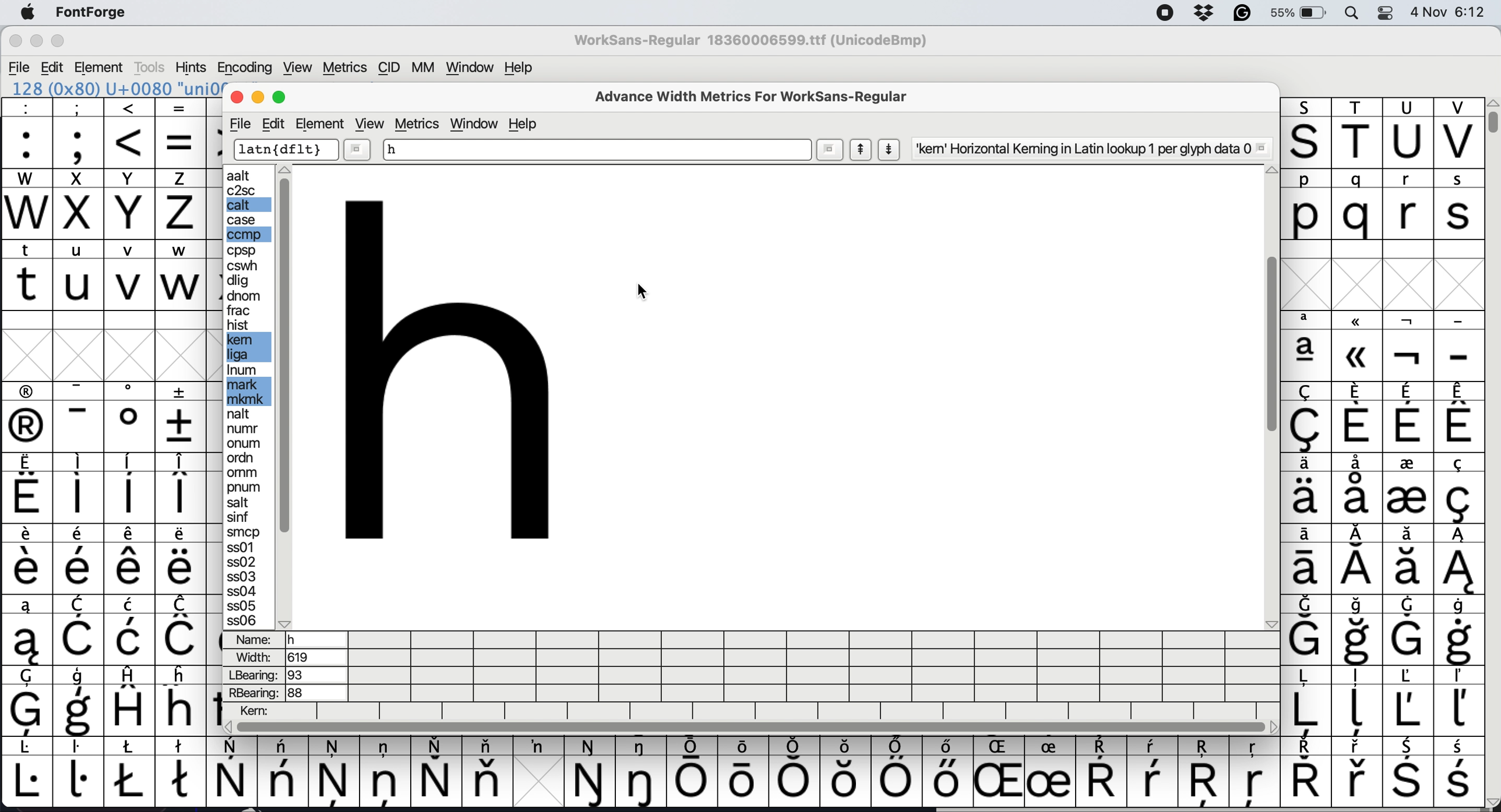 This screenshot has width=1501, height=812. Describe the element at coordinates (245, 68) in the screenshot. I see `Encoding` at that location.